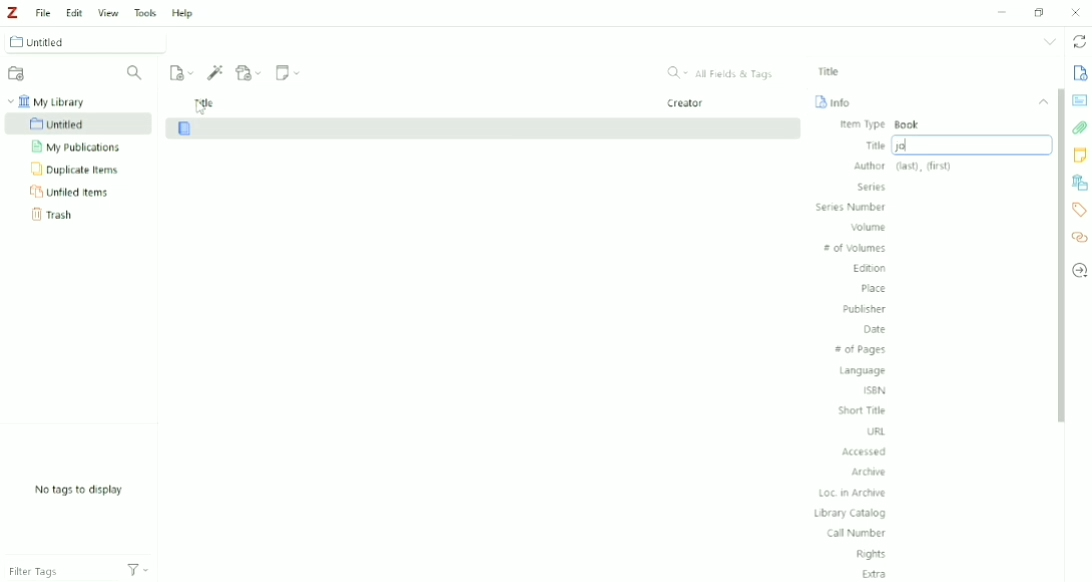  What do you see at coordinates (1079, 270) in the screenshot?
I see `Locate` at bounding box center [1079, 270].